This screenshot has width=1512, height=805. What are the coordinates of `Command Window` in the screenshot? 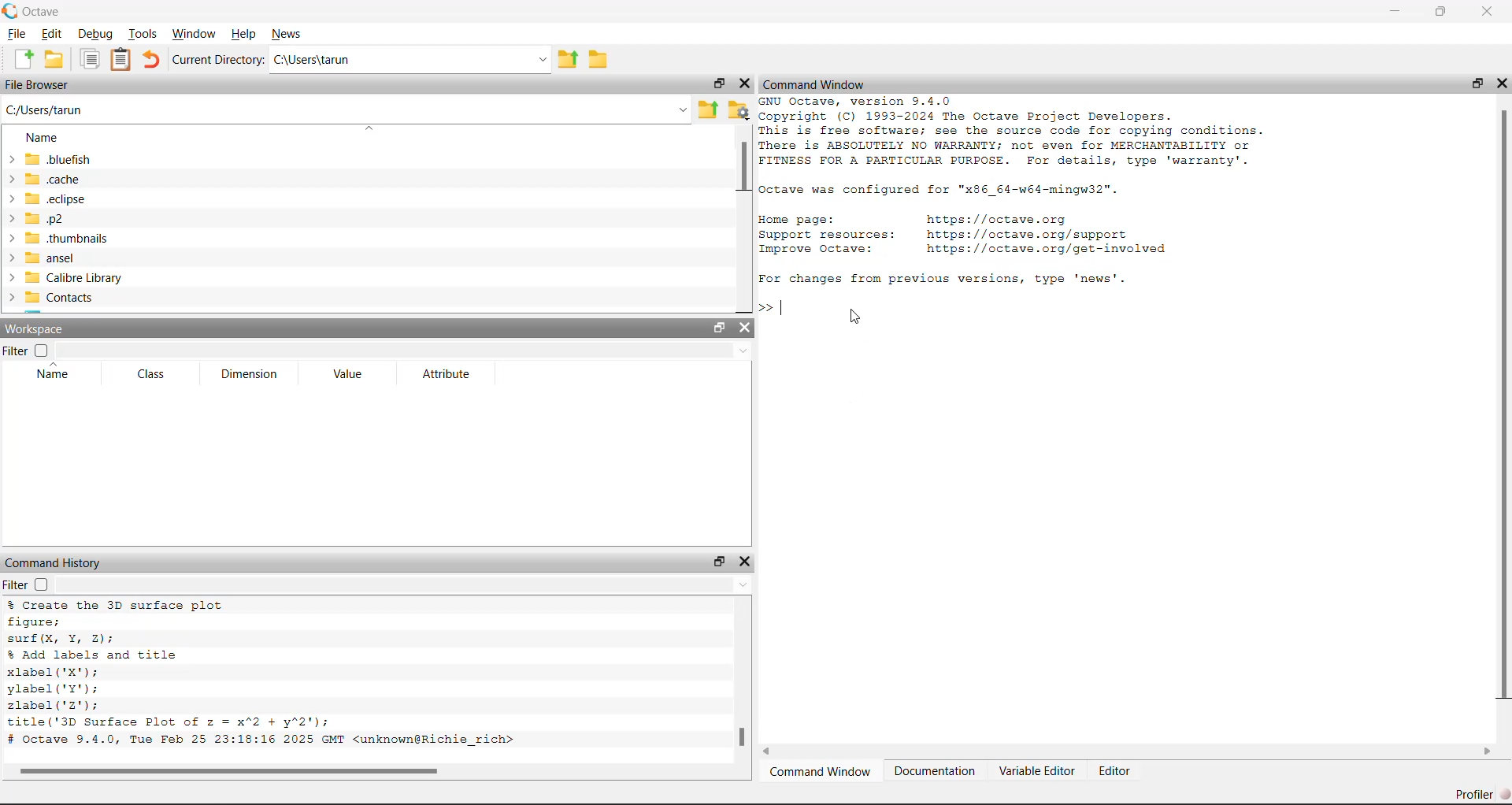 It's located at (820, 772).